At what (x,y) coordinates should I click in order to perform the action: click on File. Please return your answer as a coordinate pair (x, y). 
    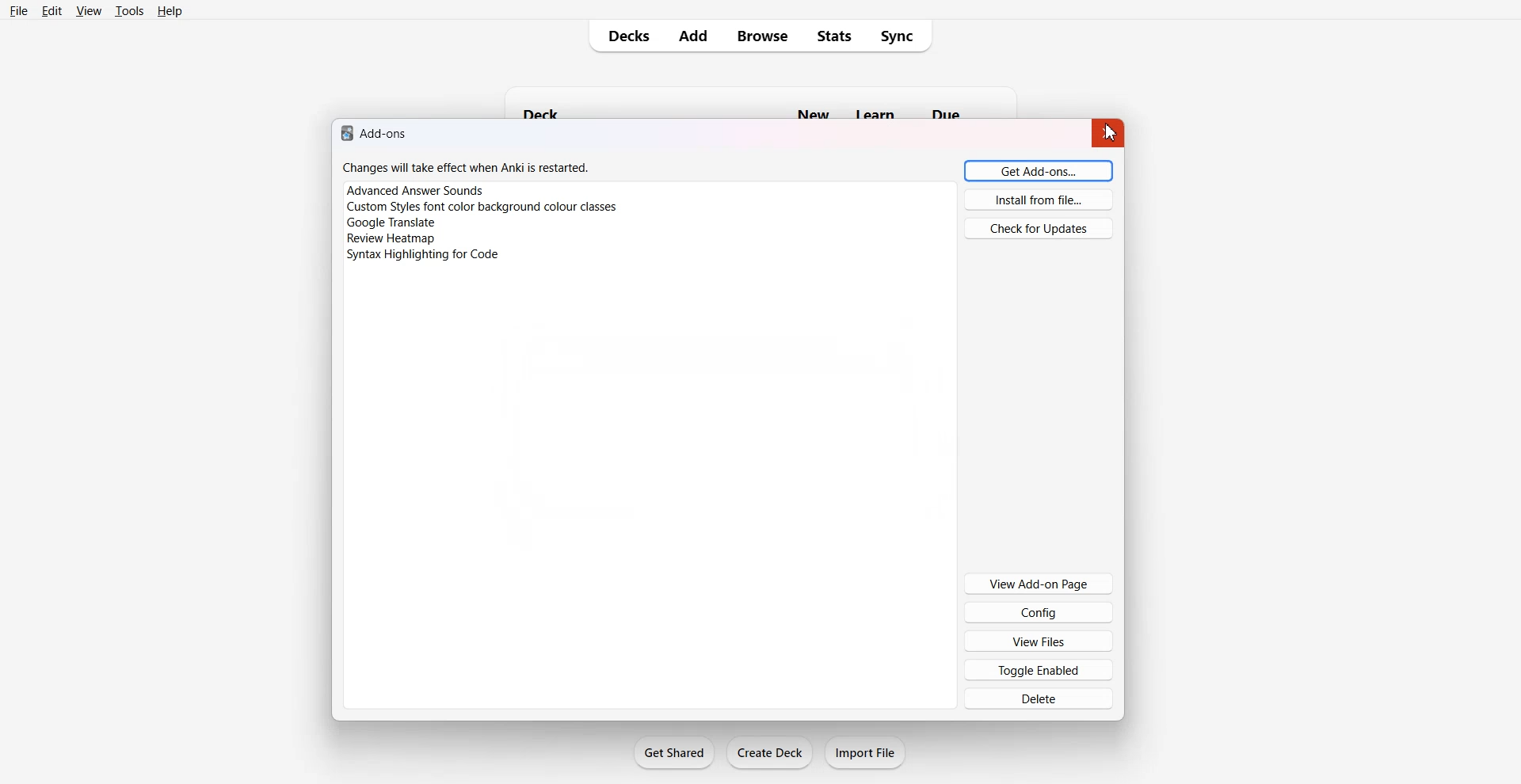
    Looking at the image, I should click on (19, 11).